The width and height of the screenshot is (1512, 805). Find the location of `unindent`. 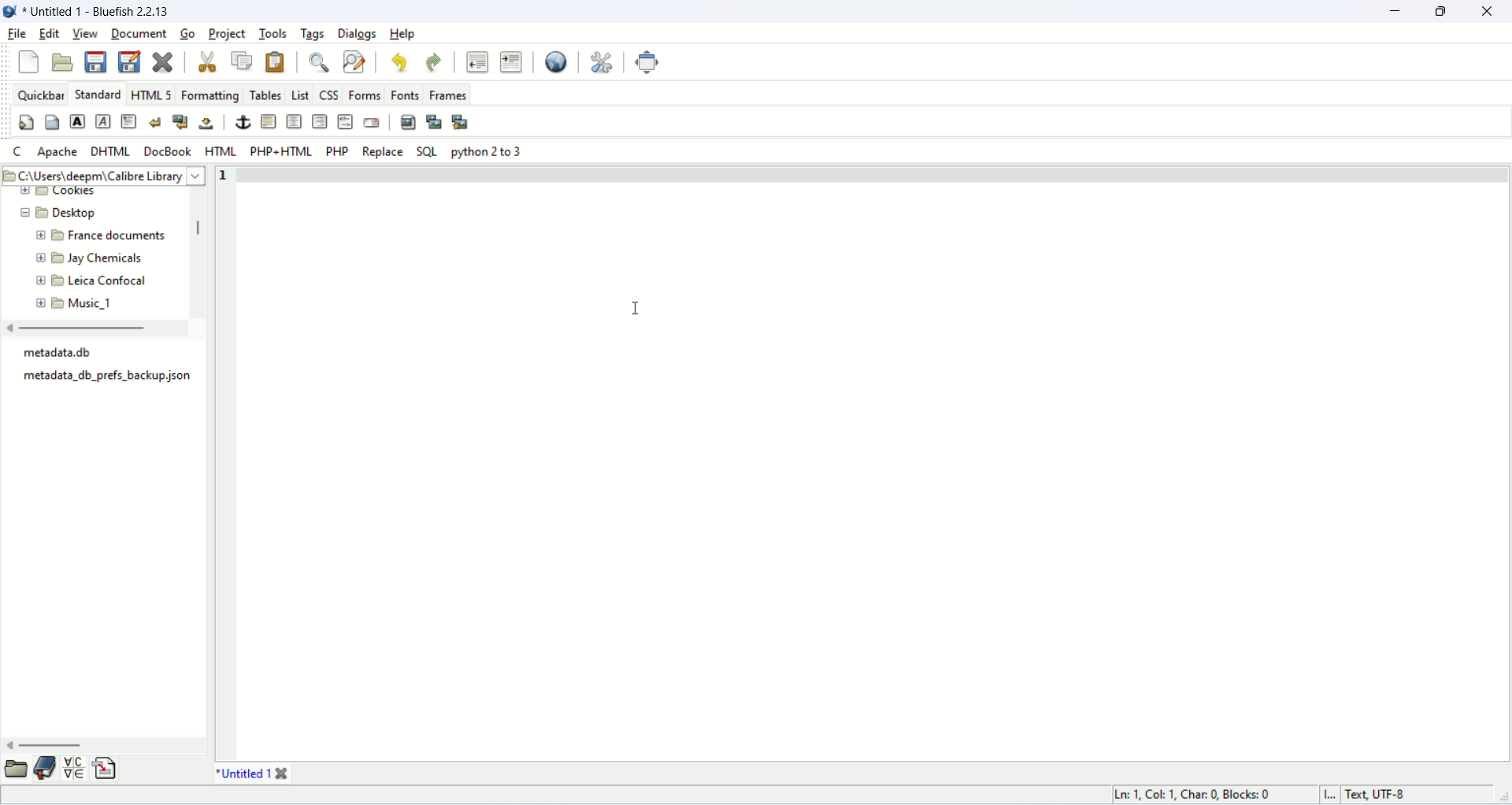

unindent is located at coordinates (477, 61).